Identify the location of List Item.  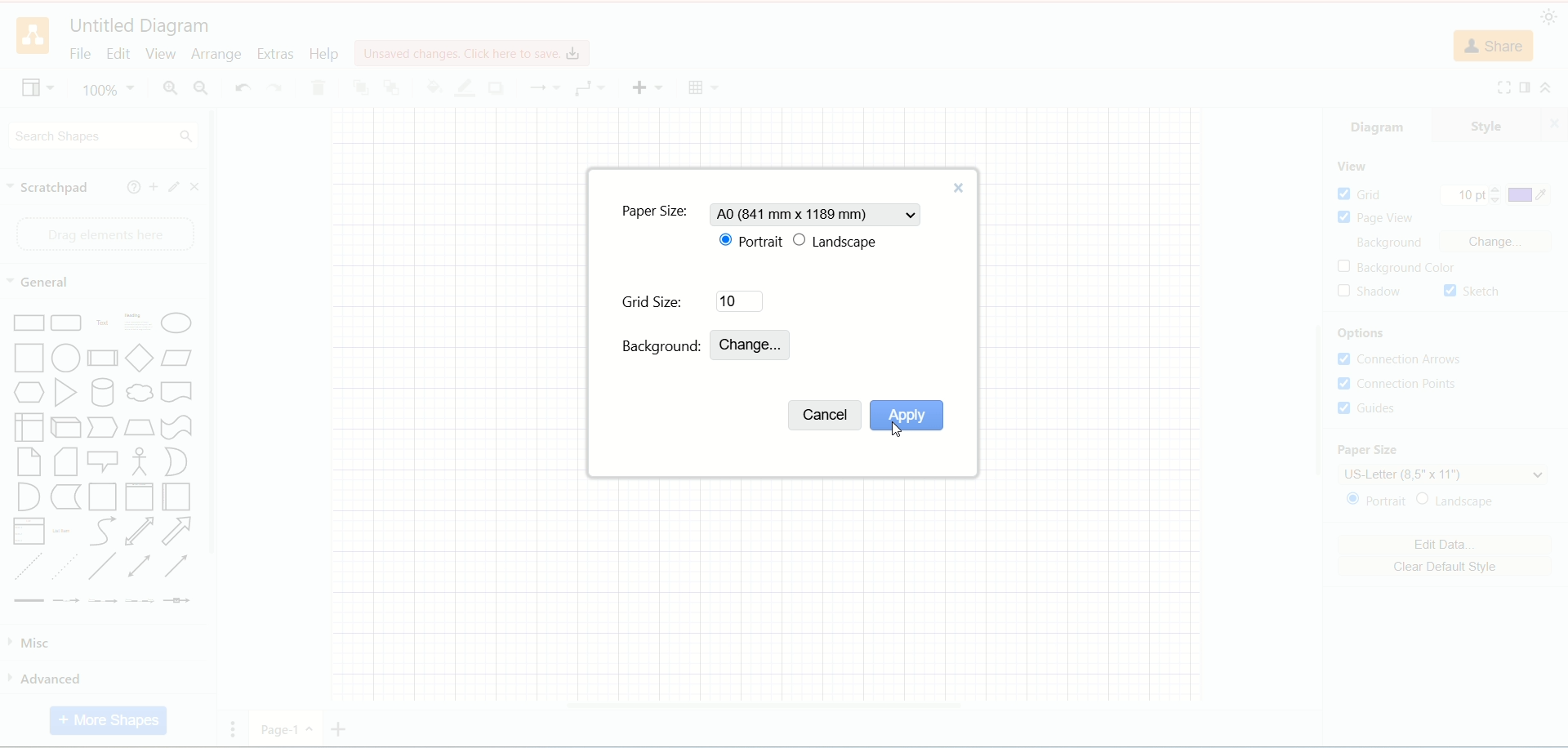
(60, 529).